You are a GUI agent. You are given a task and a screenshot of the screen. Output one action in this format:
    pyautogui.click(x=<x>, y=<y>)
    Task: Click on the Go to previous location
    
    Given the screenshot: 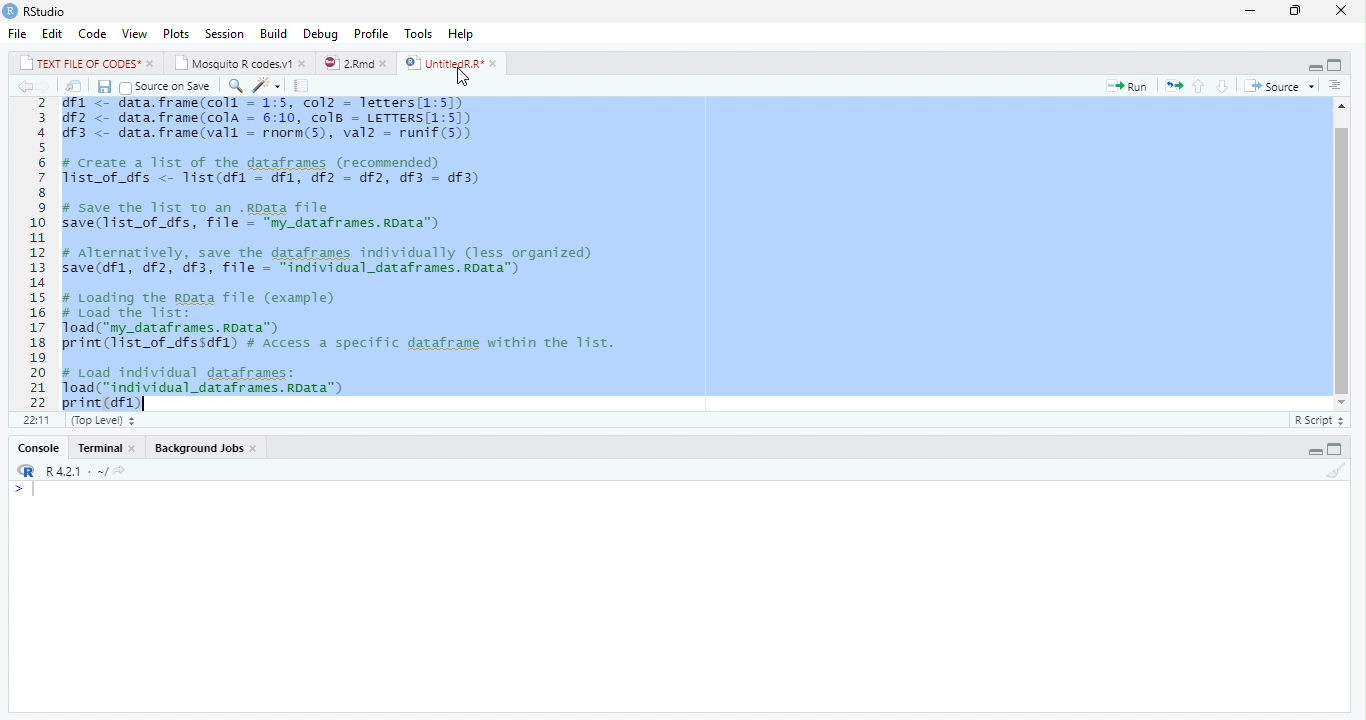 What is the action you would take?
    pyautogui.click(x=22, y=86)
    